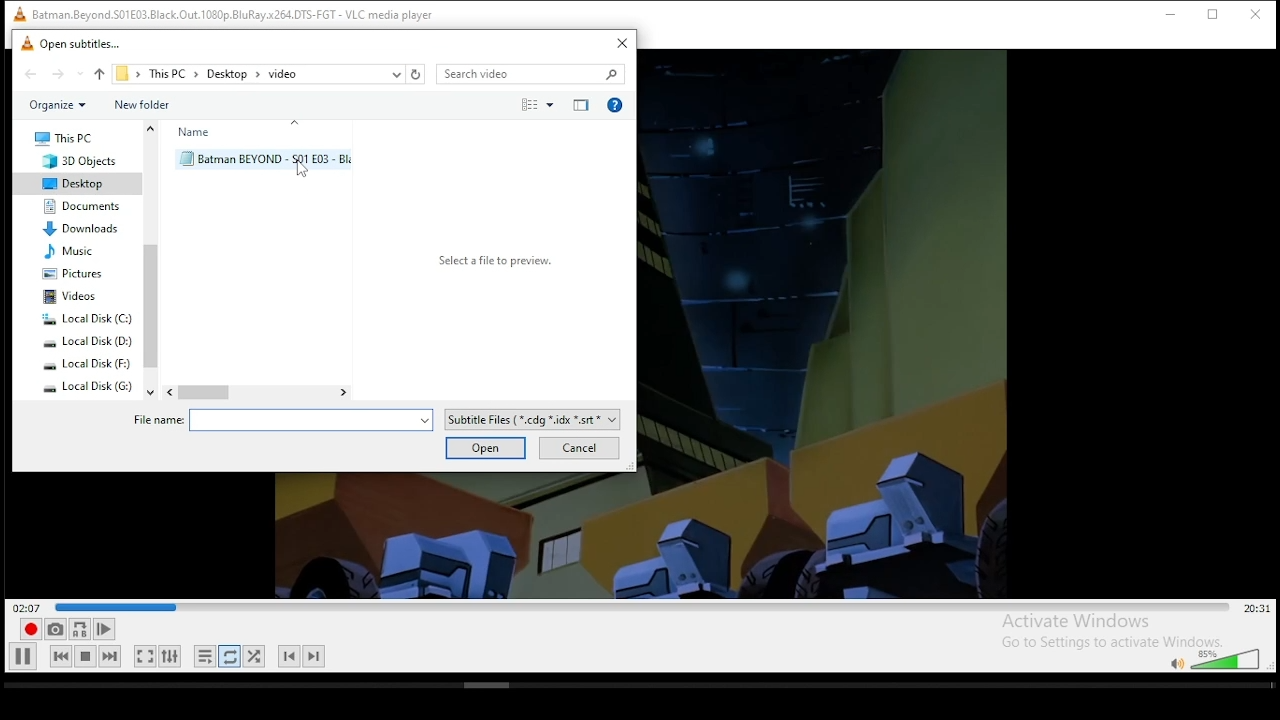 This screenshot has height=720, width=1280. What do you see at coordinates (1256, 608) in the screenshot?
I see `remaining/total time` at bounding box center [1256, 608].